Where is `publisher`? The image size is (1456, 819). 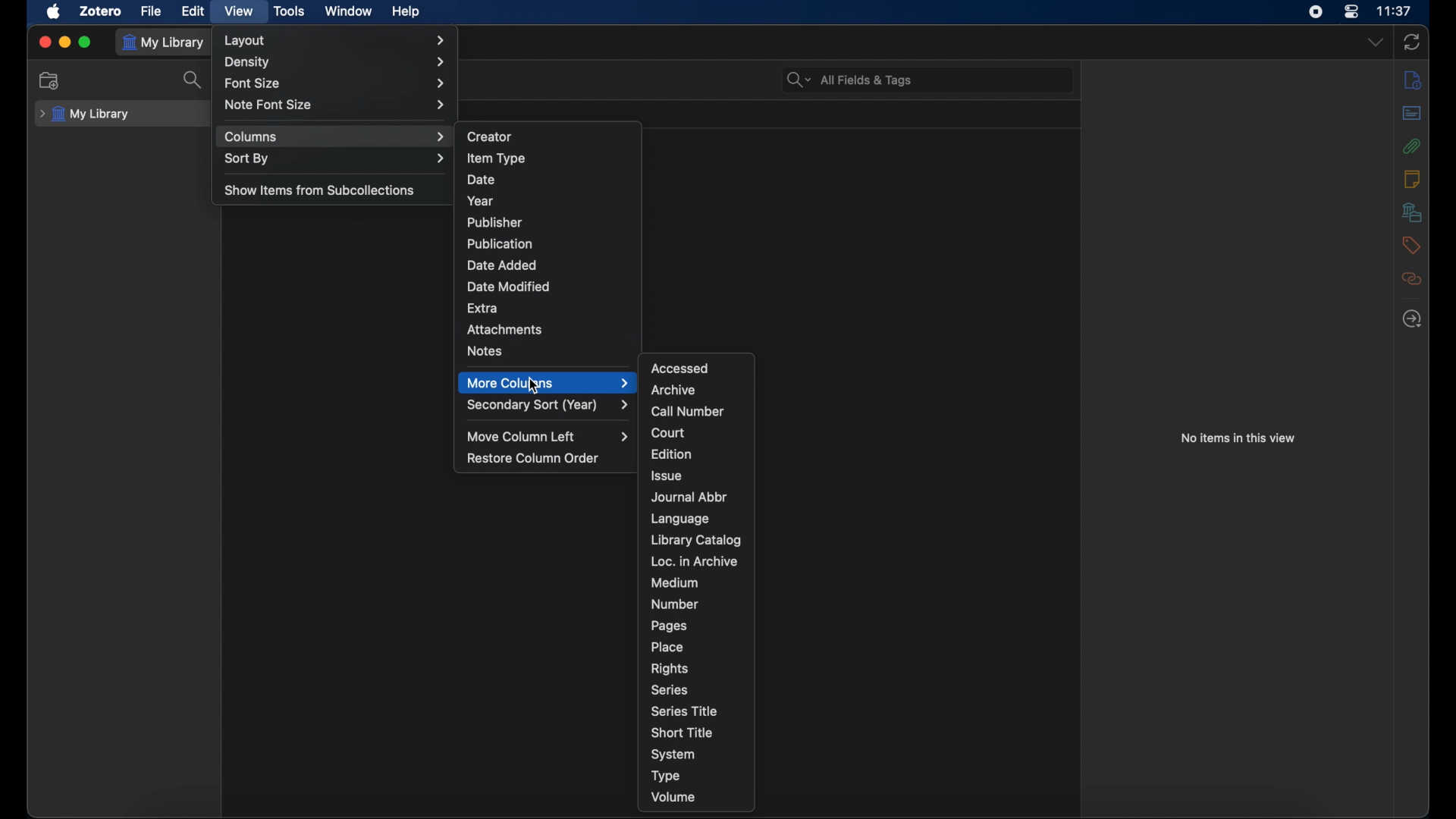
publisher is located at coordinates (495, 223).